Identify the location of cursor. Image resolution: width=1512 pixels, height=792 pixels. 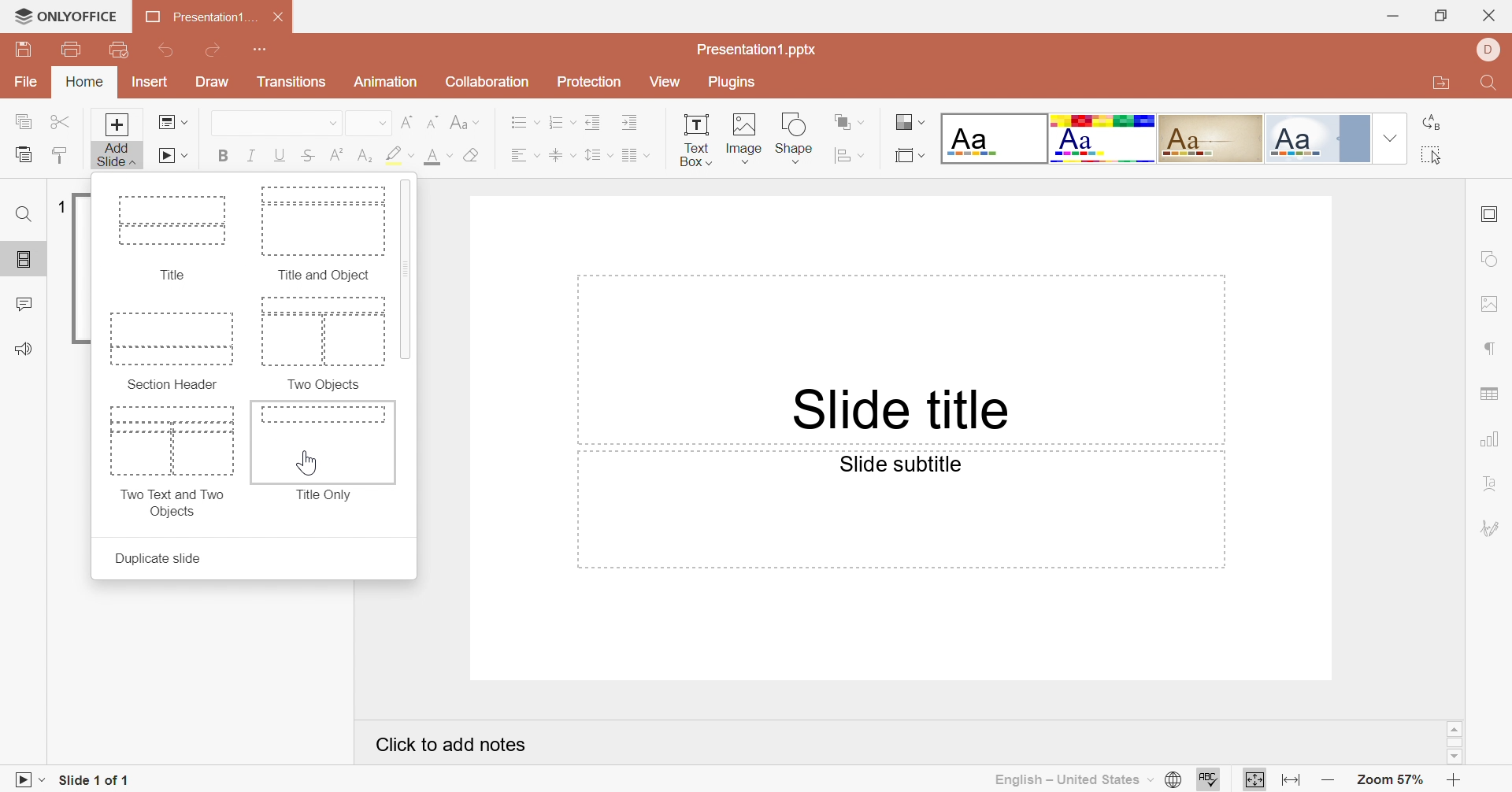
(310, 464).